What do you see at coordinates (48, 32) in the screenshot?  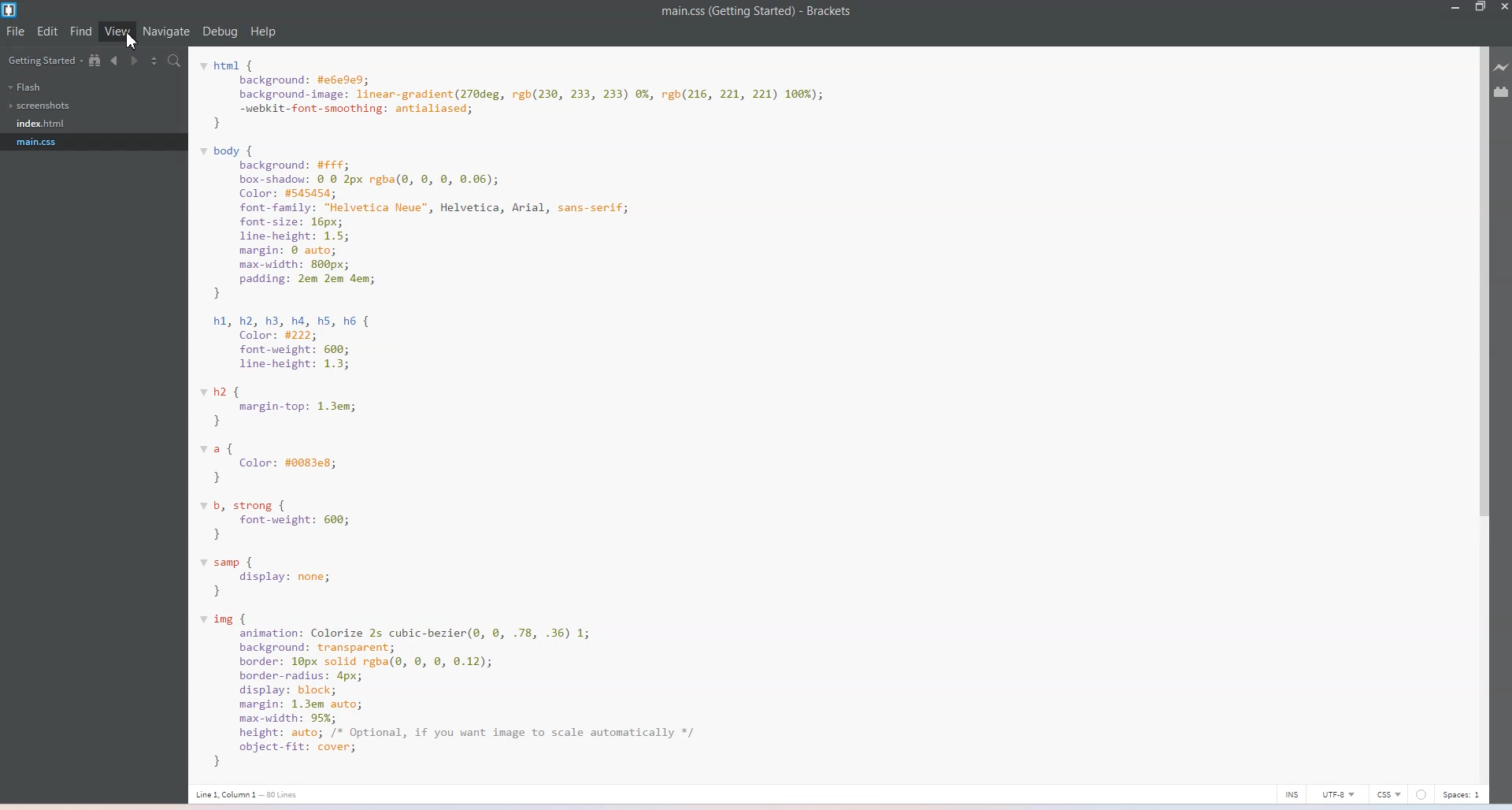 I see `Edit` at bounding box center [48, 32].